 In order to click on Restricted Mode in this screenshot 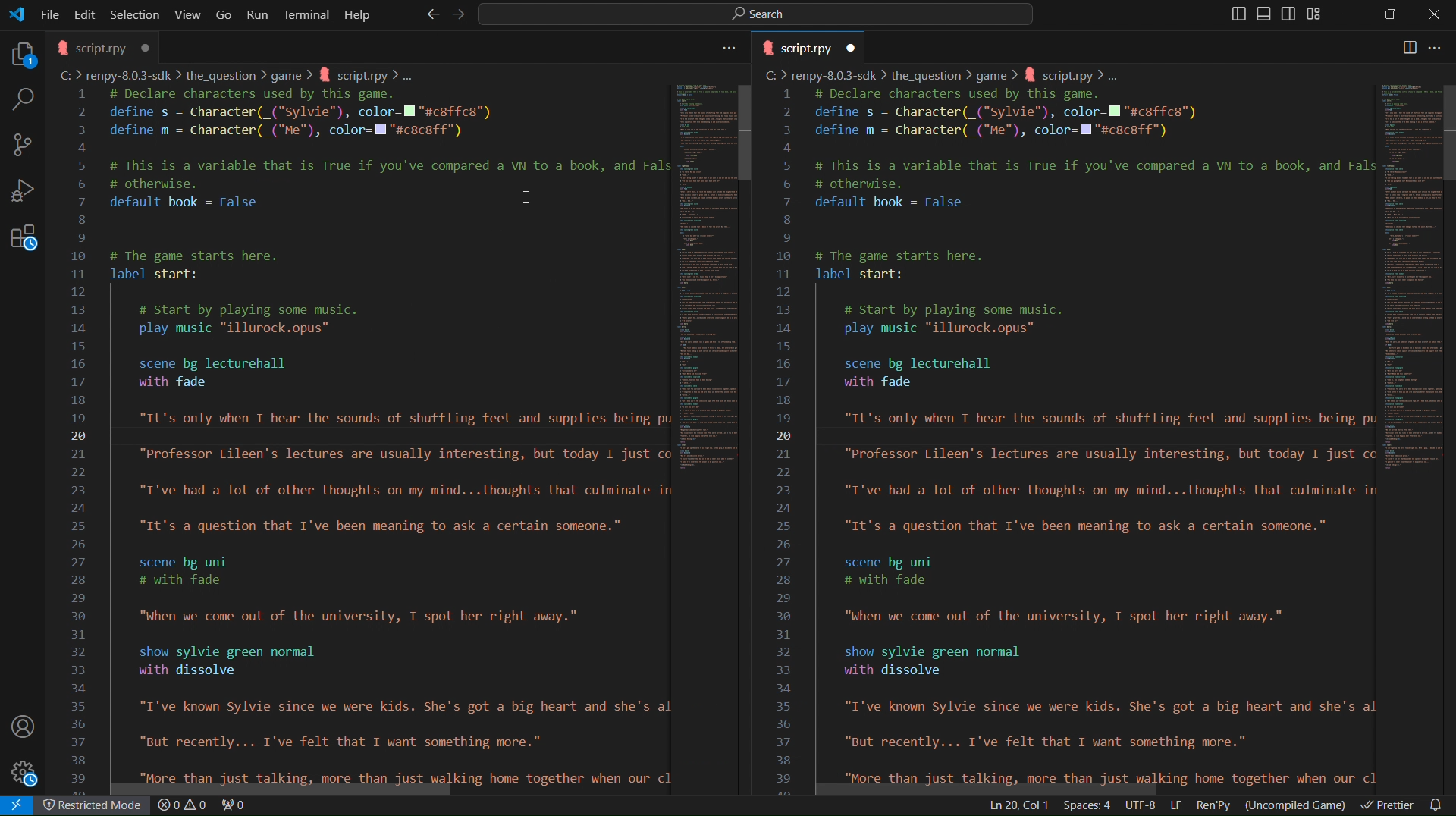, I will do `click(96, 807)`.